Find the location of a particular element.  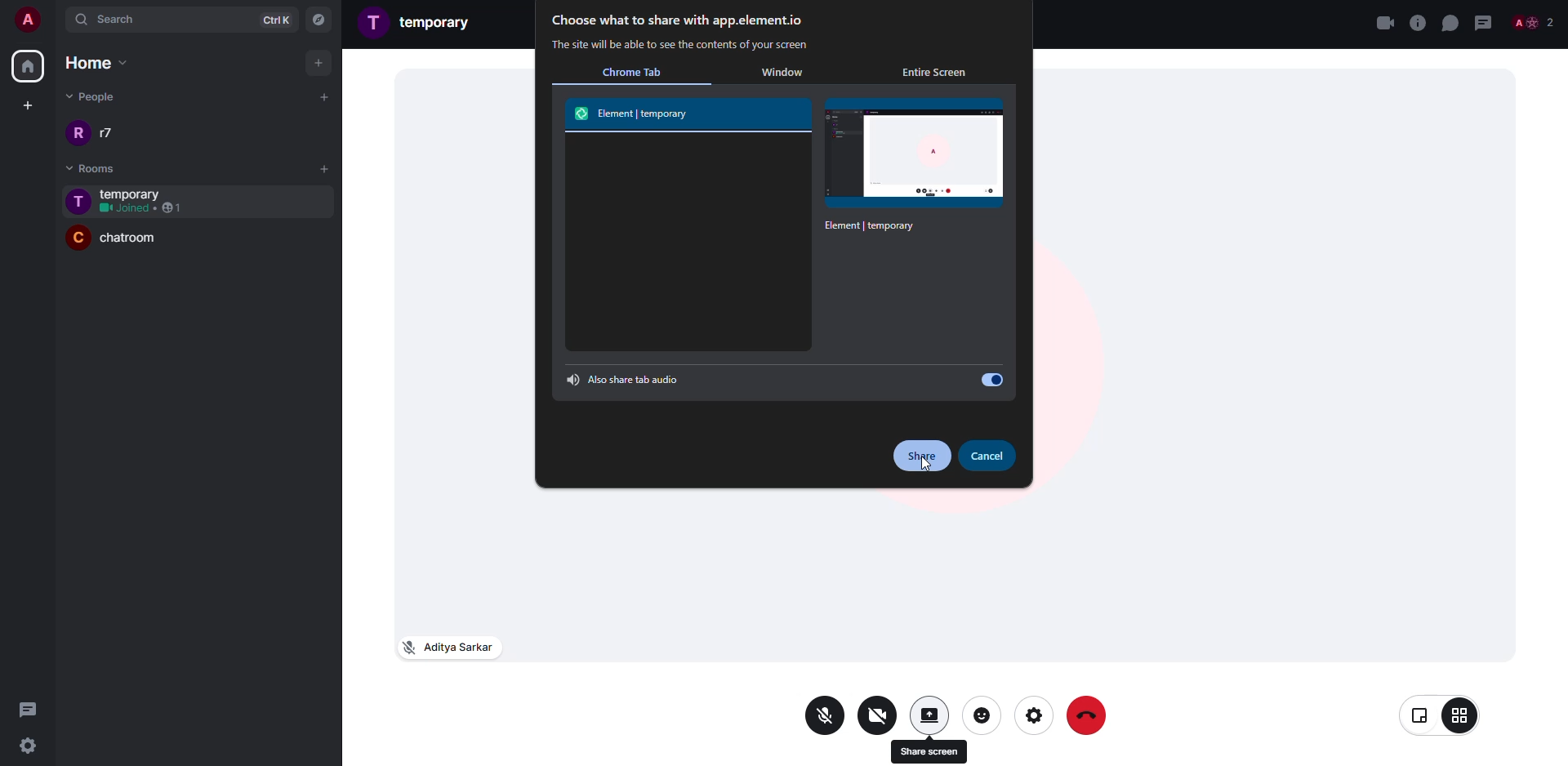

share is located at coordinates (921, 456).